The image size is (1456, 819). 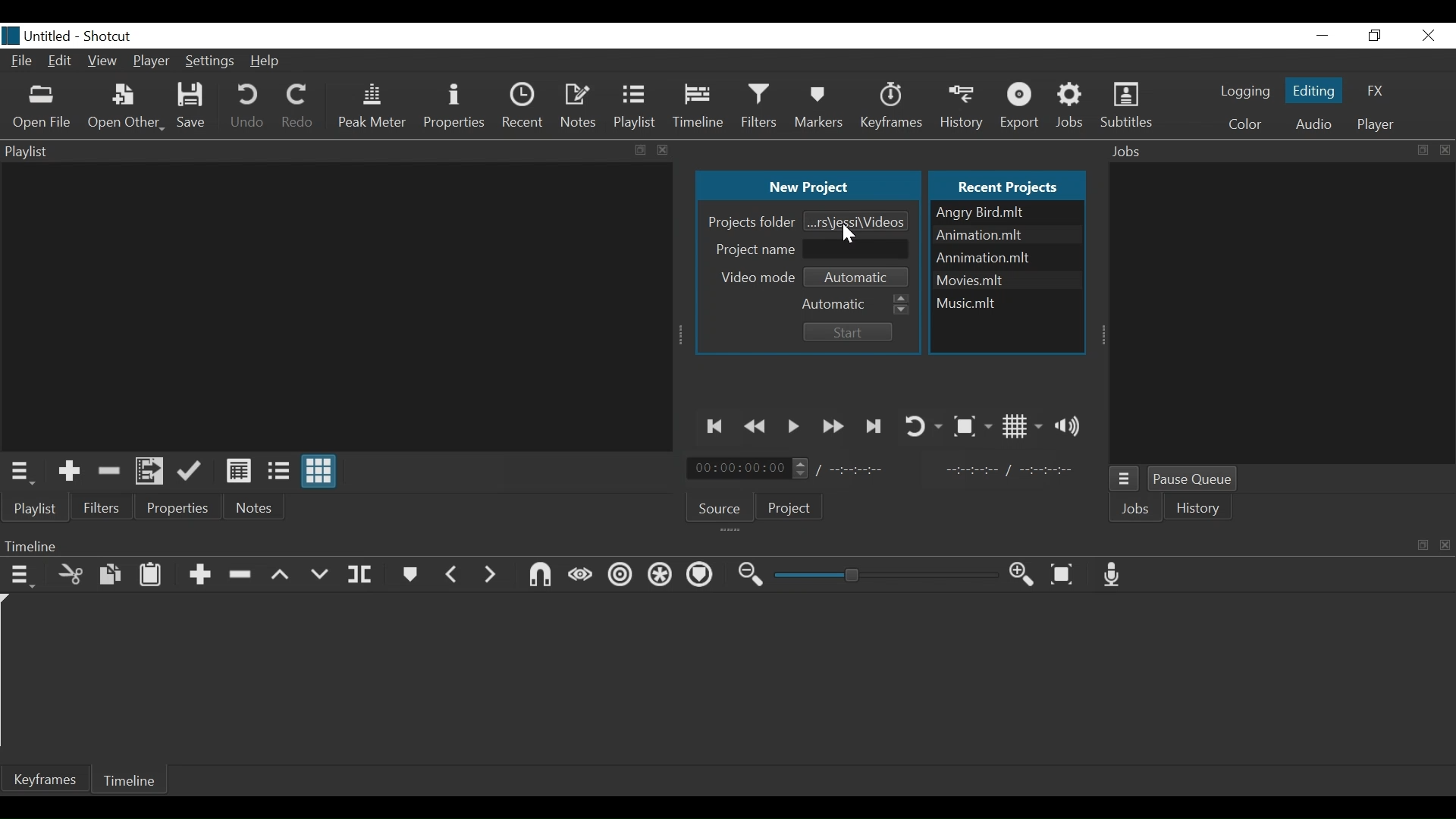 I want to click on Source, so click(x=720, y=506).